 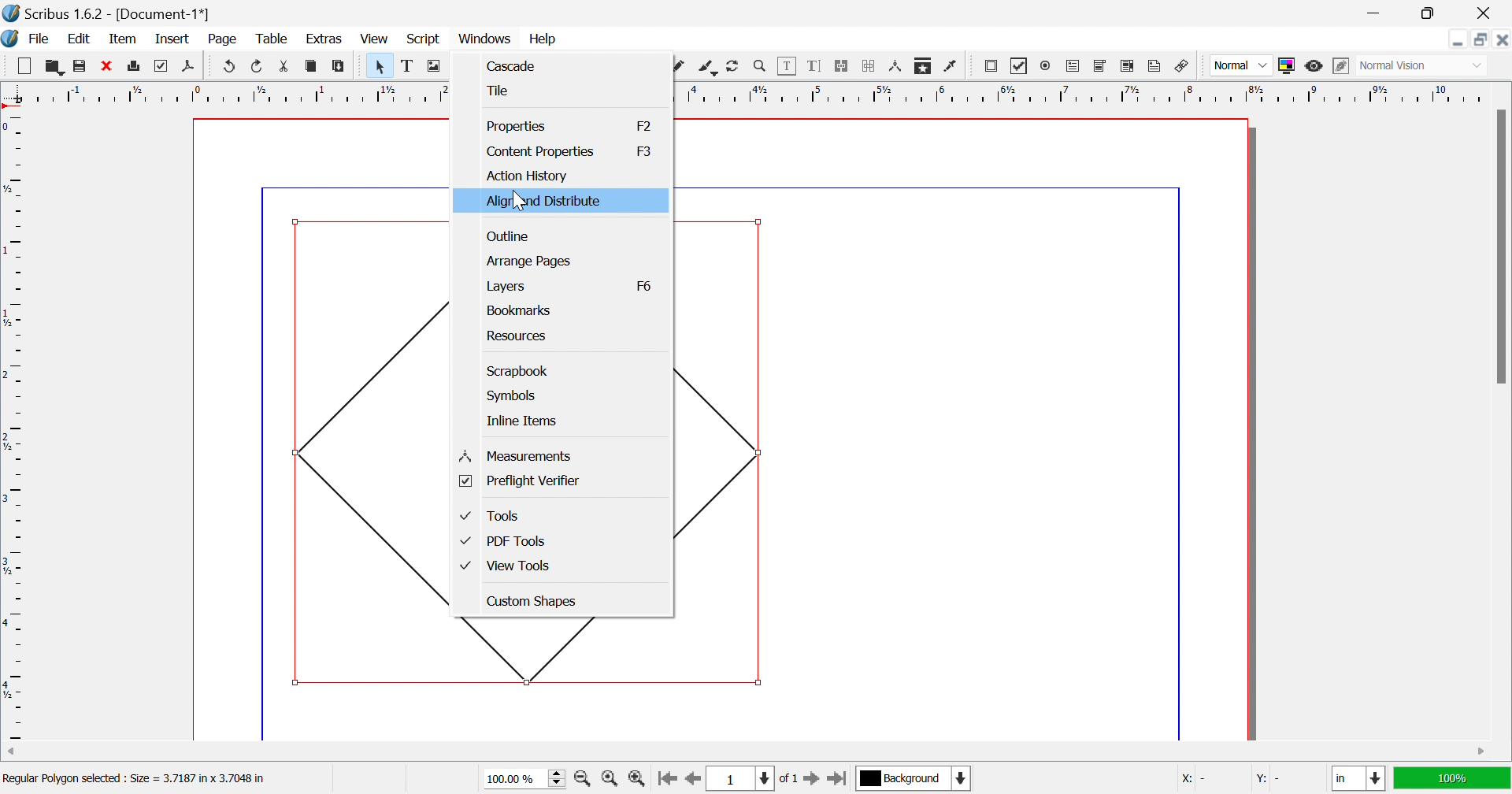 I want to click on Copy item properties, so click(x=921, y=67).